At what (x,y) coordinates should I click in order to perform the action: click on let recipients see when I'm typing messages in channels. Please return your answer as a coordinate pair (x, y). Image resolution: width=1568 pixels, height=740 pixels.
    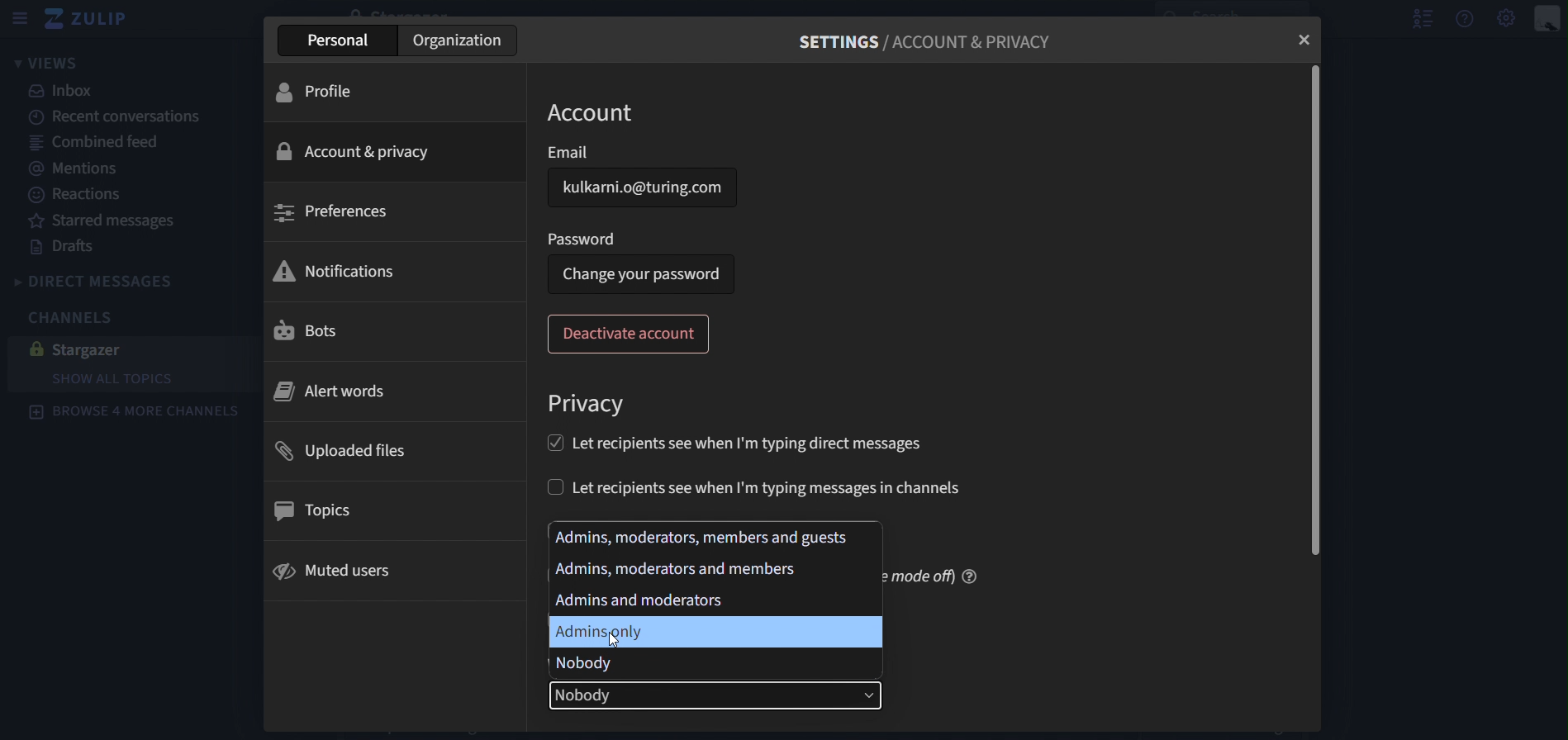
    Looking at the image, I should click on (756, 486).